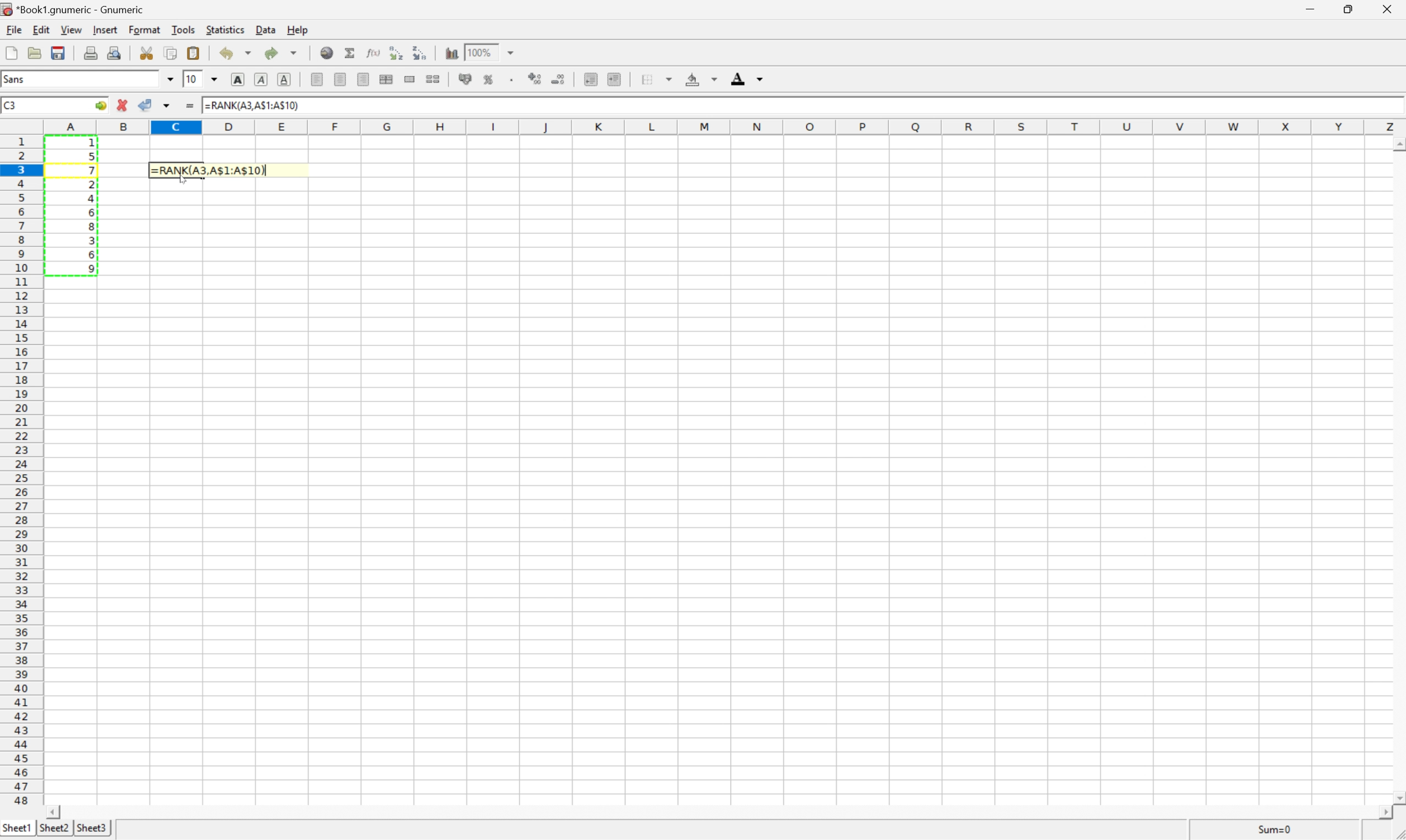 The width and height of the screenshot is (1406, 840). I want to click on =RANK(A3,A$1:A$10), so click(218, 169).